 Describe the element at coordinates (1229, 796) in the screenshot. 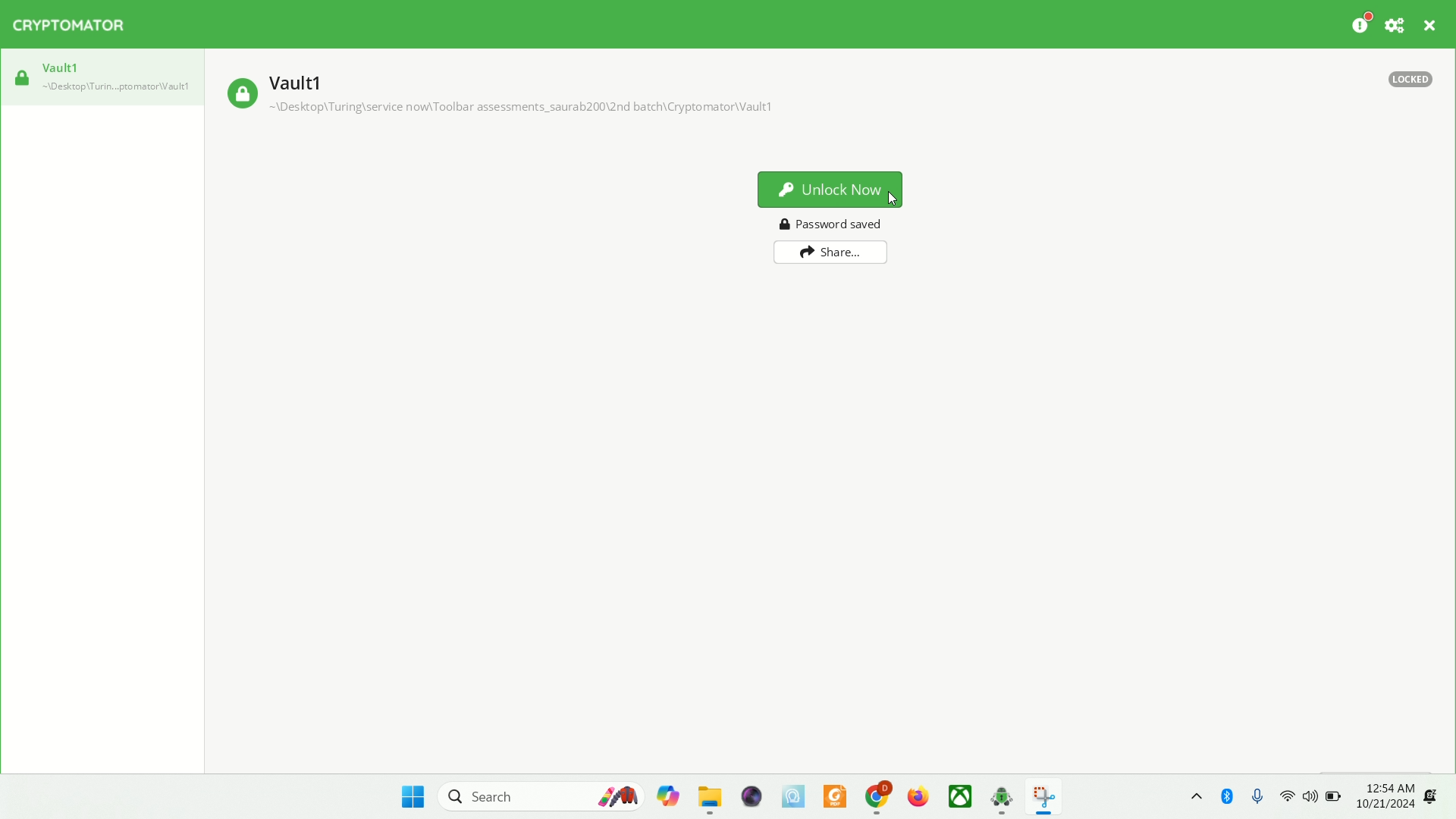

I see `Bluetooth` at that location.